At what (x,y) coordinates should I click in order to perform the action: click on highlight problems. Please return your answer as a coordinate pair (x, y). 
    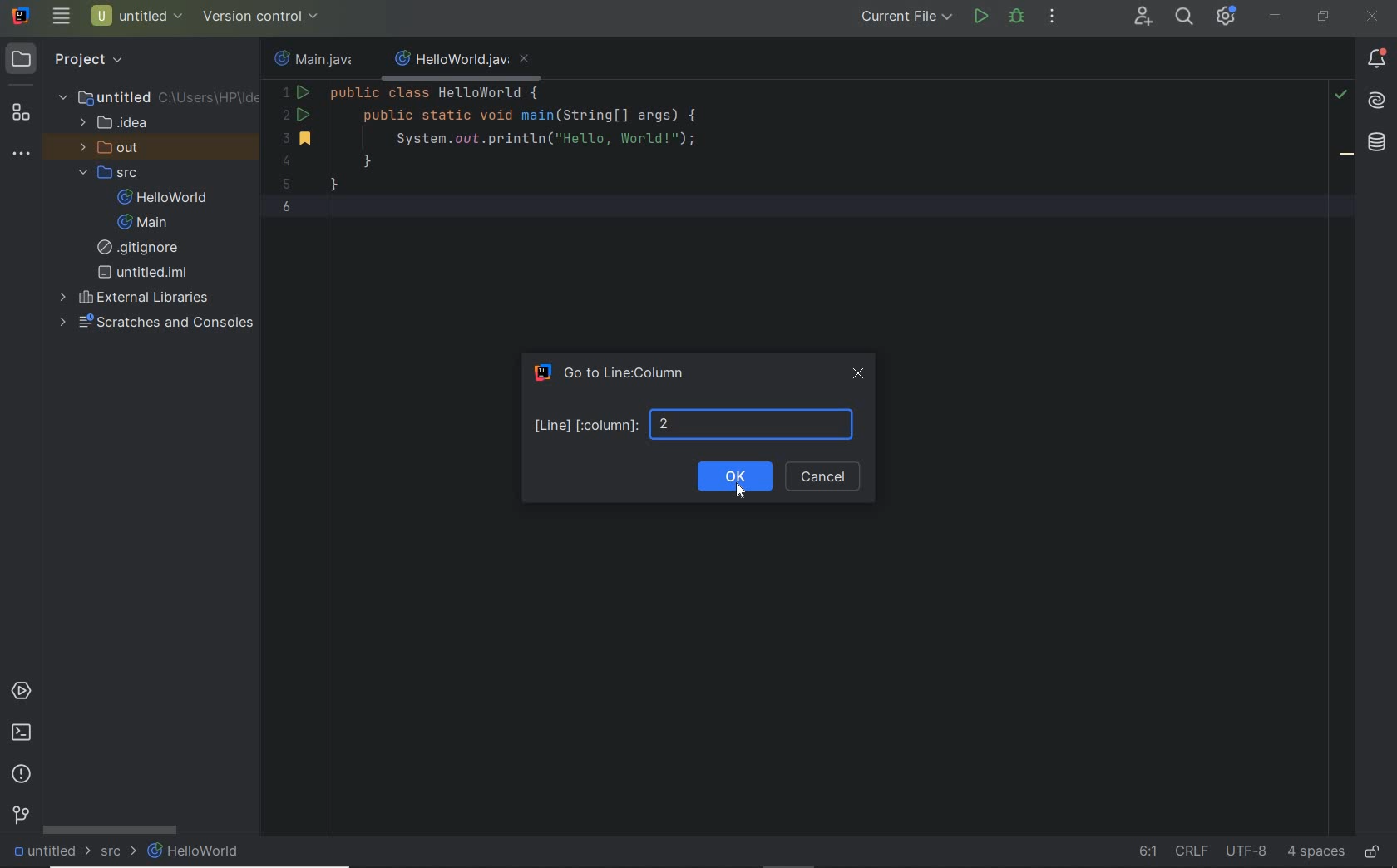
    Looking at the image, I should click on (1340, 95).